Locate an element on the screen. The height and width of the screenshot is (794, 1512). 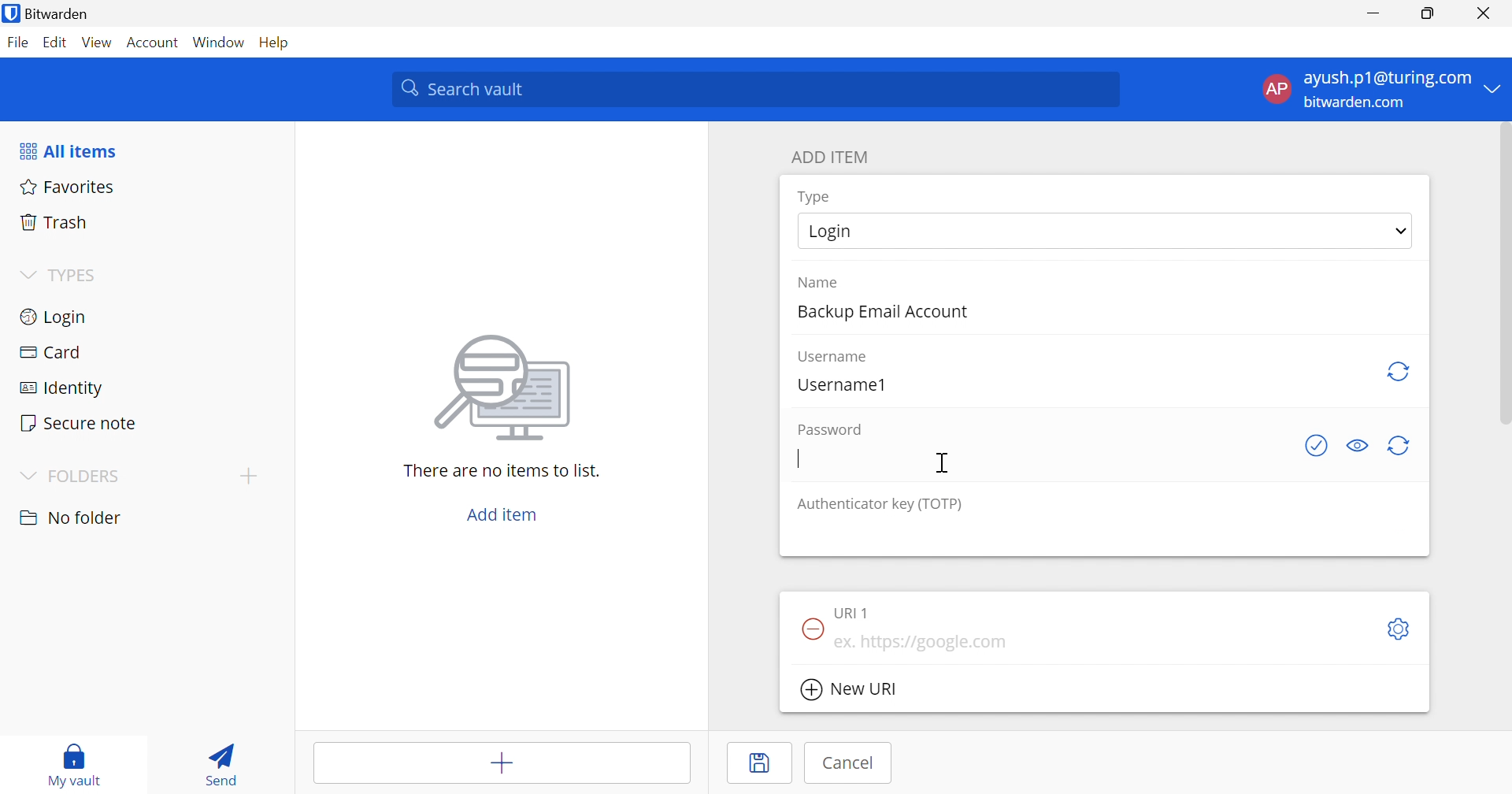
Identity is located at coordinates (56, 390).